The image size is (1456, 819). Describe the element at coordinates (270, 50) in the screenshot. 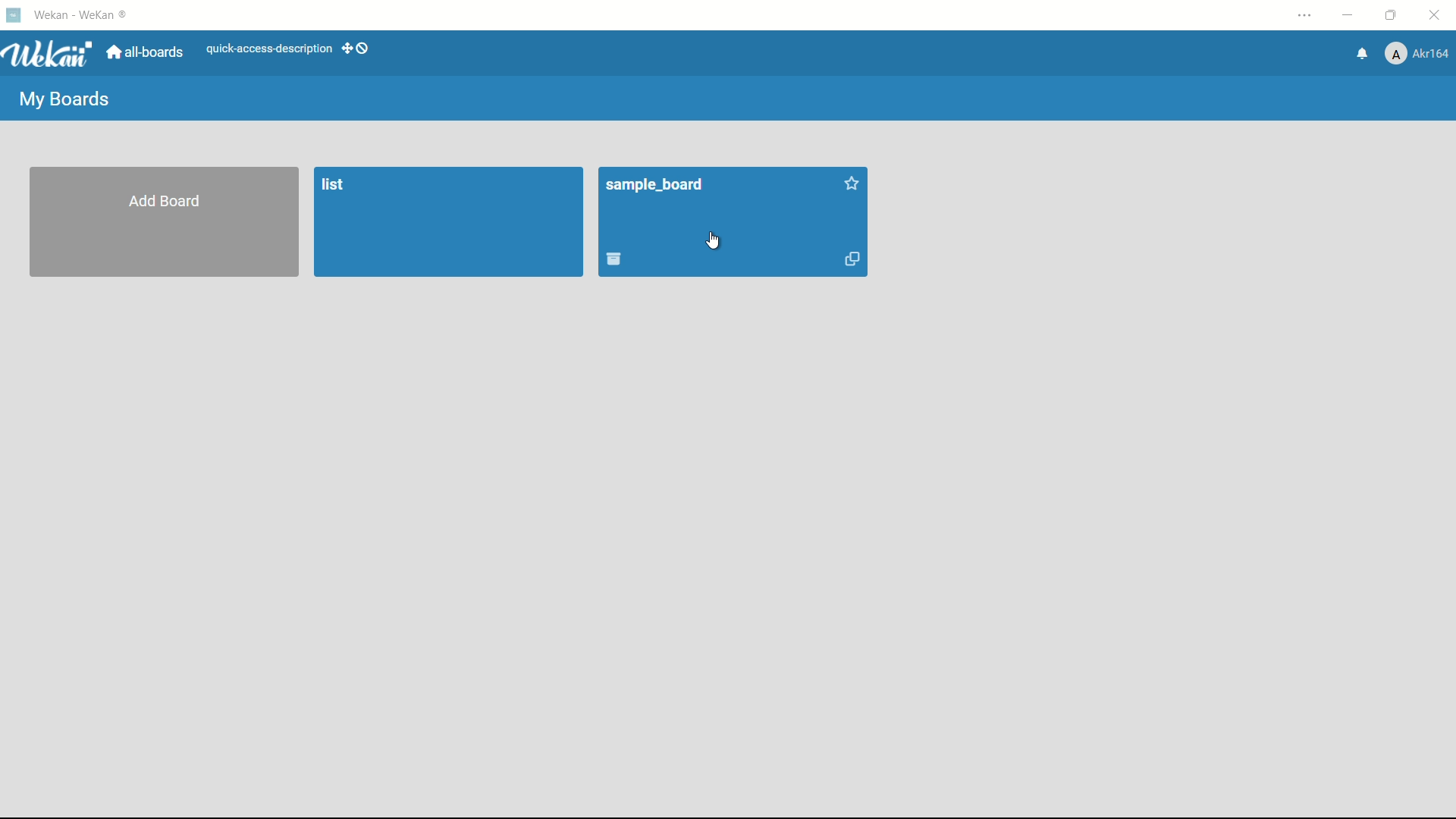

I see `quick-access-description` at that location.